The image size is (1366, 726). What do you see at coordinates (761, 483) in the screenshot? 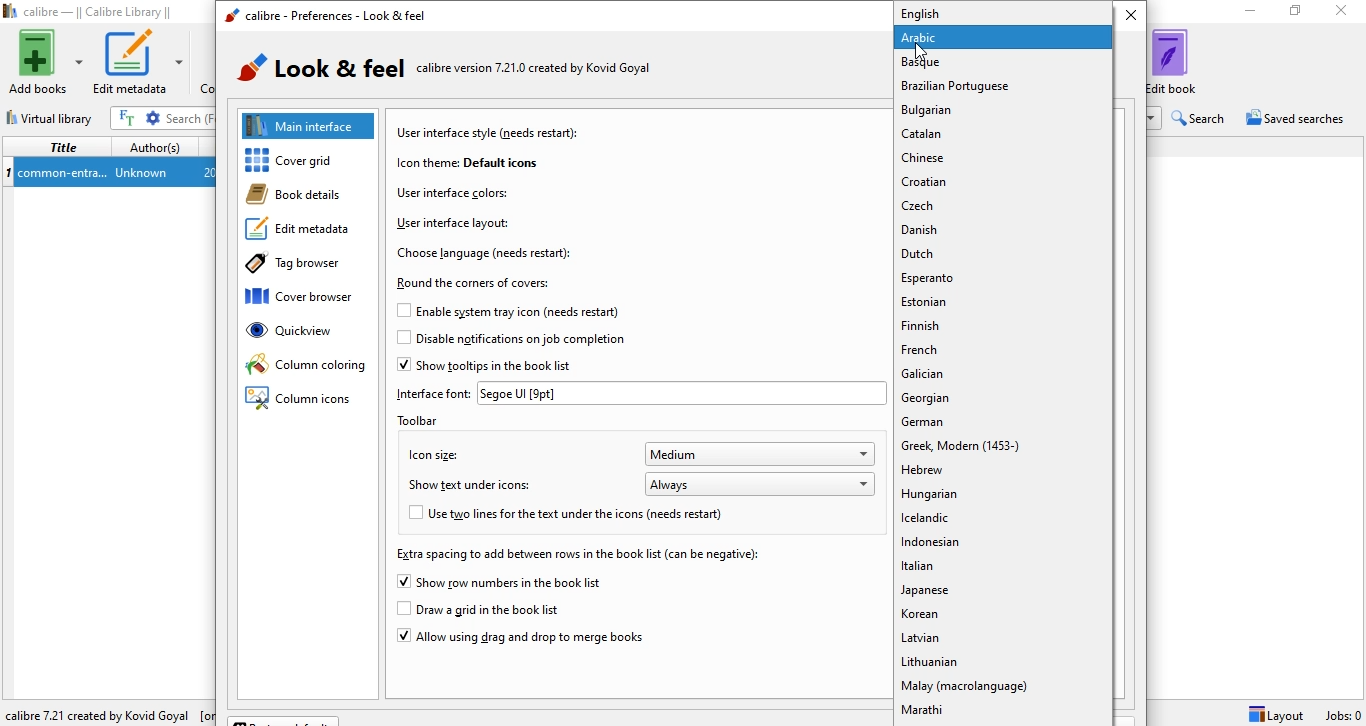
I see `always` at bounding box center [761, 483].